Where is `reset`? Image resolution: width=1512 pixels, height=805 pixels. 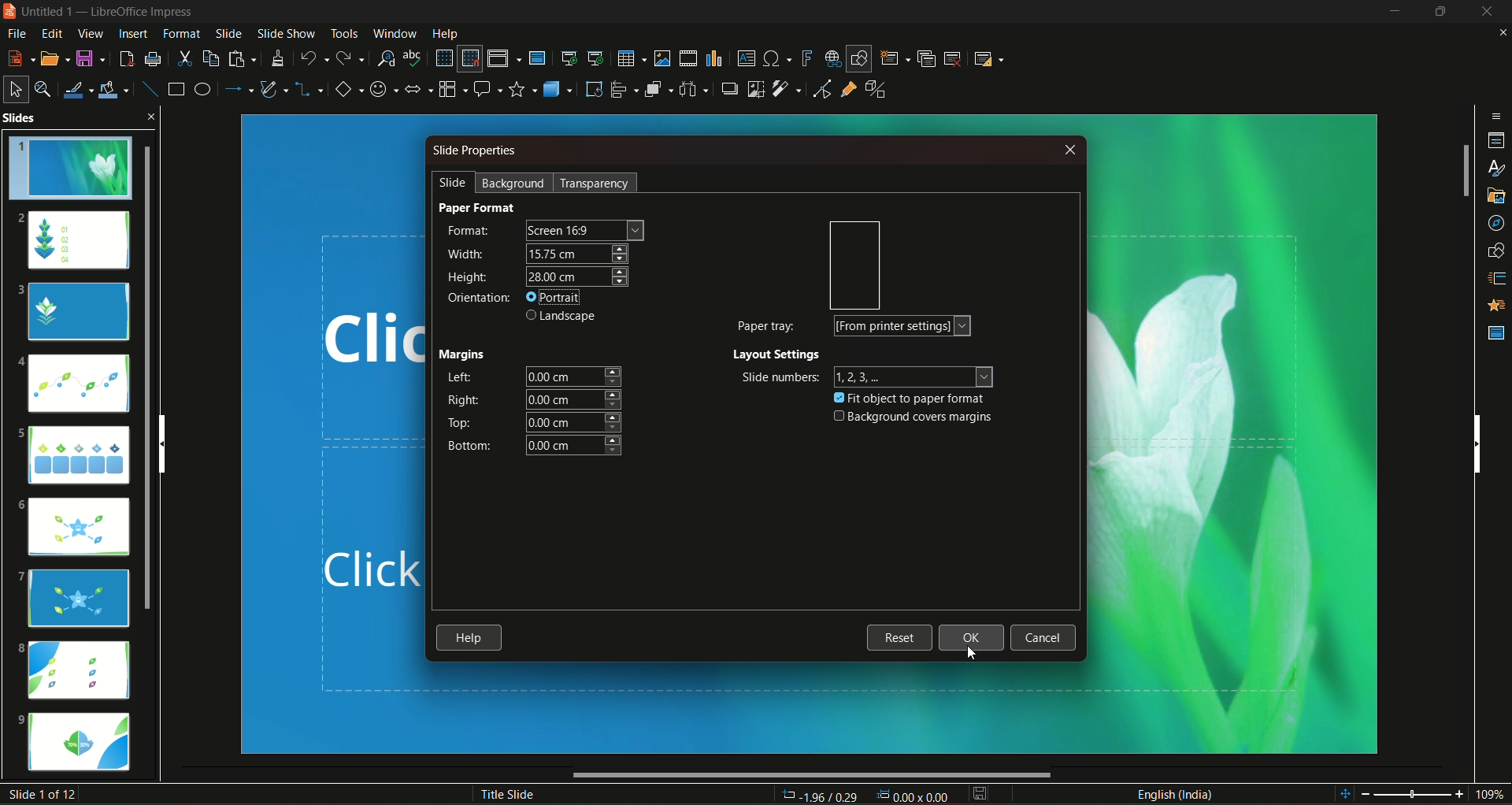 reset is located at coordinates (899, 636).